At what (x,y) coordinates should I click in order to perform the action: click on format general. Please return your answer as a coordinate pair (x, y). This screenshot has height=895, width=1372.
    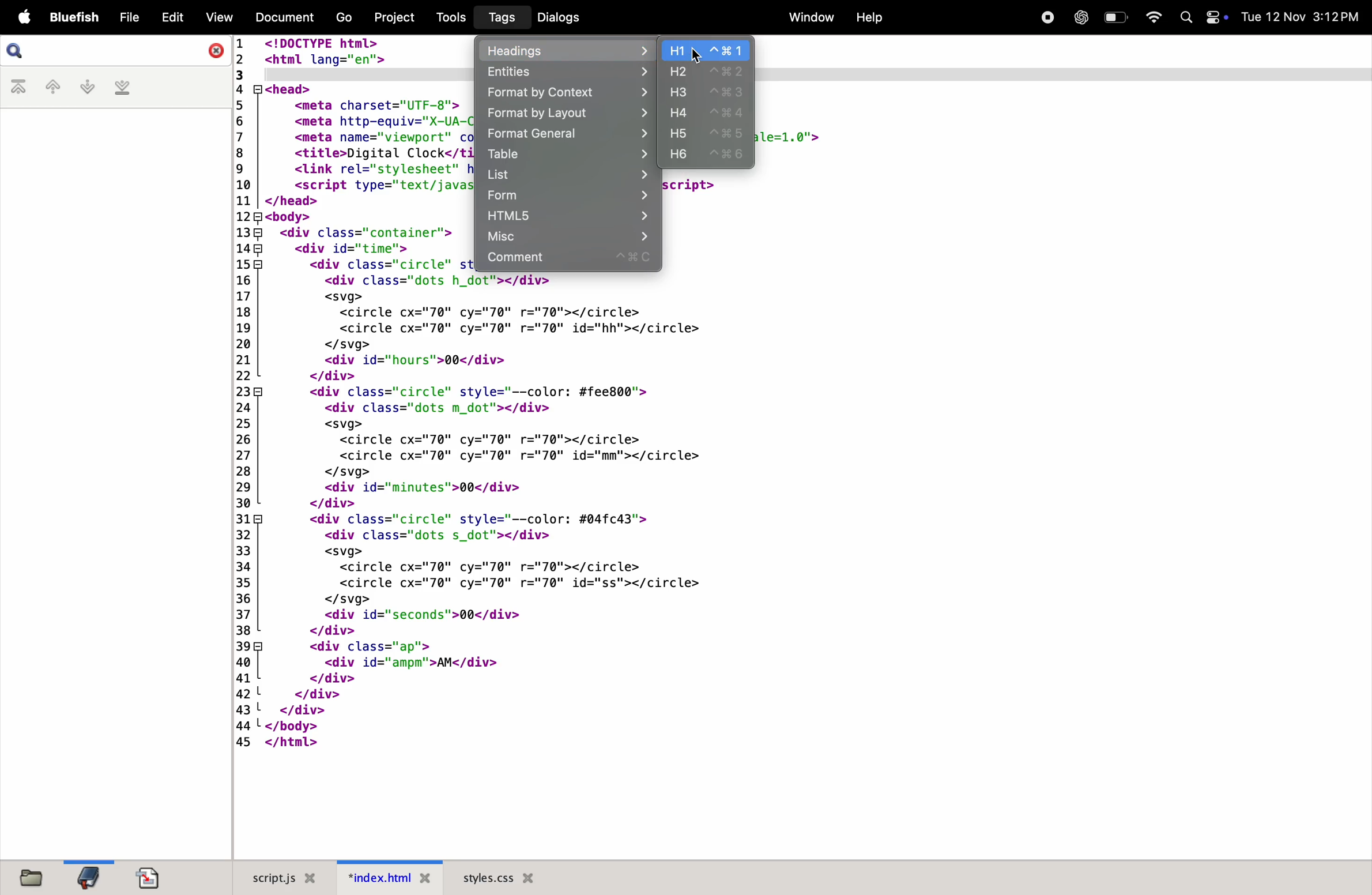
    Looking at the image, I should click on (566, 136).